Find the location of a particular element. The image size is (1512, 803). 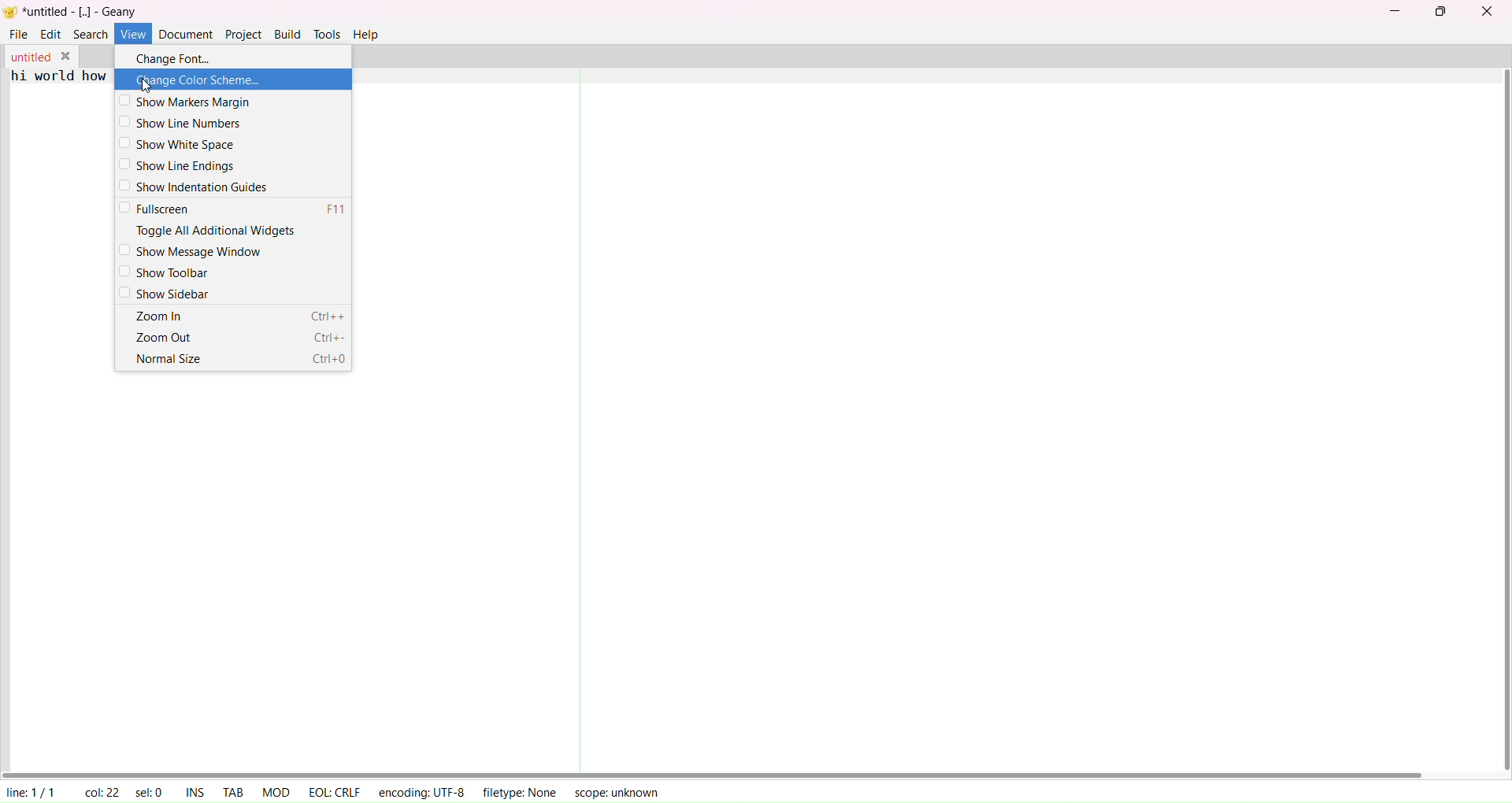

build is located at coordinates (289, 33).